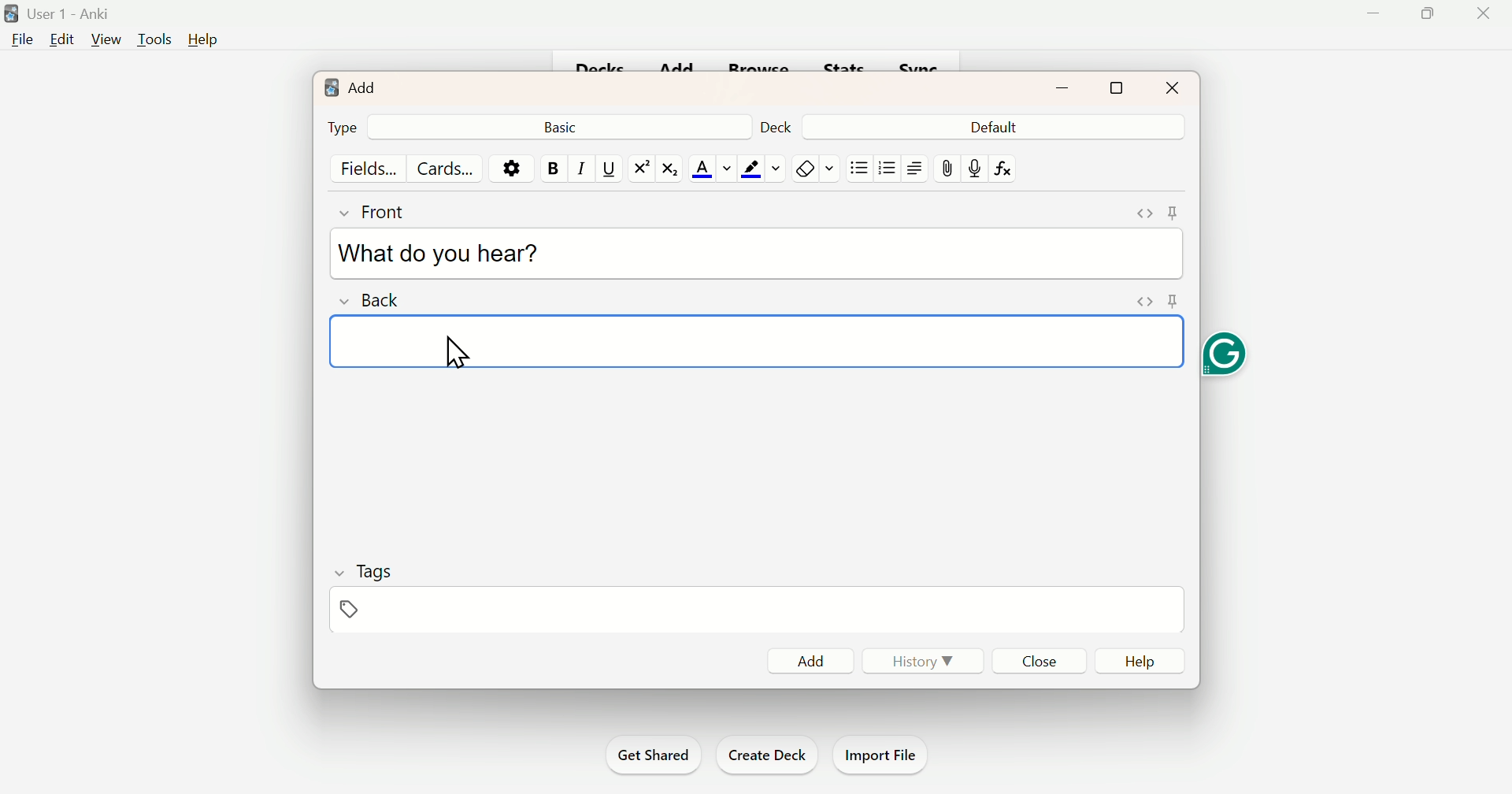  Describe the element at coordinates (1062, 88) in the screenshot. I see `minimize` at that location.